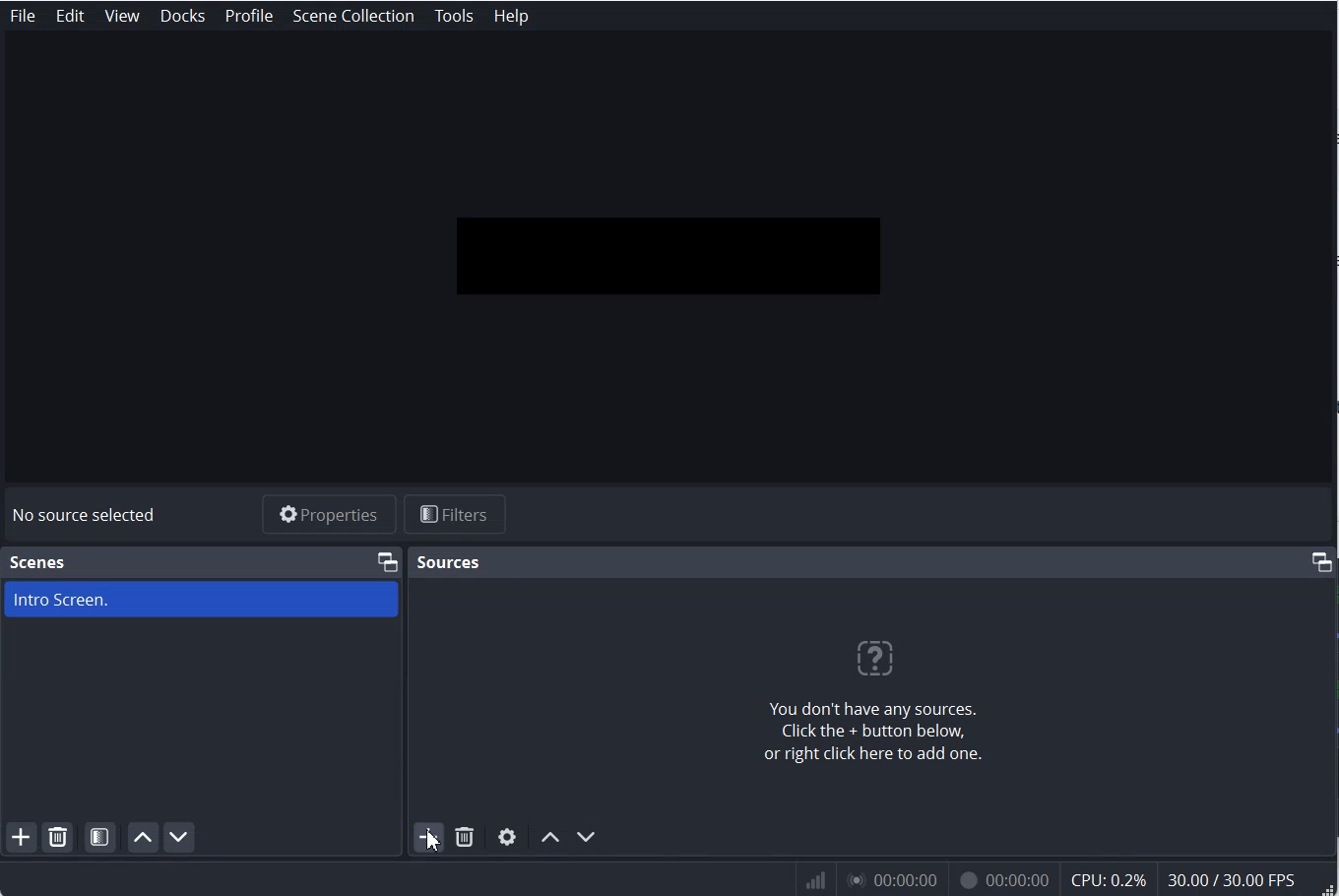 Image resolution: width=1339 pixels, height=896 pixels. Describe the element at coordinates (21, 838) in the screenshot. I see `Add Scene` at that location.